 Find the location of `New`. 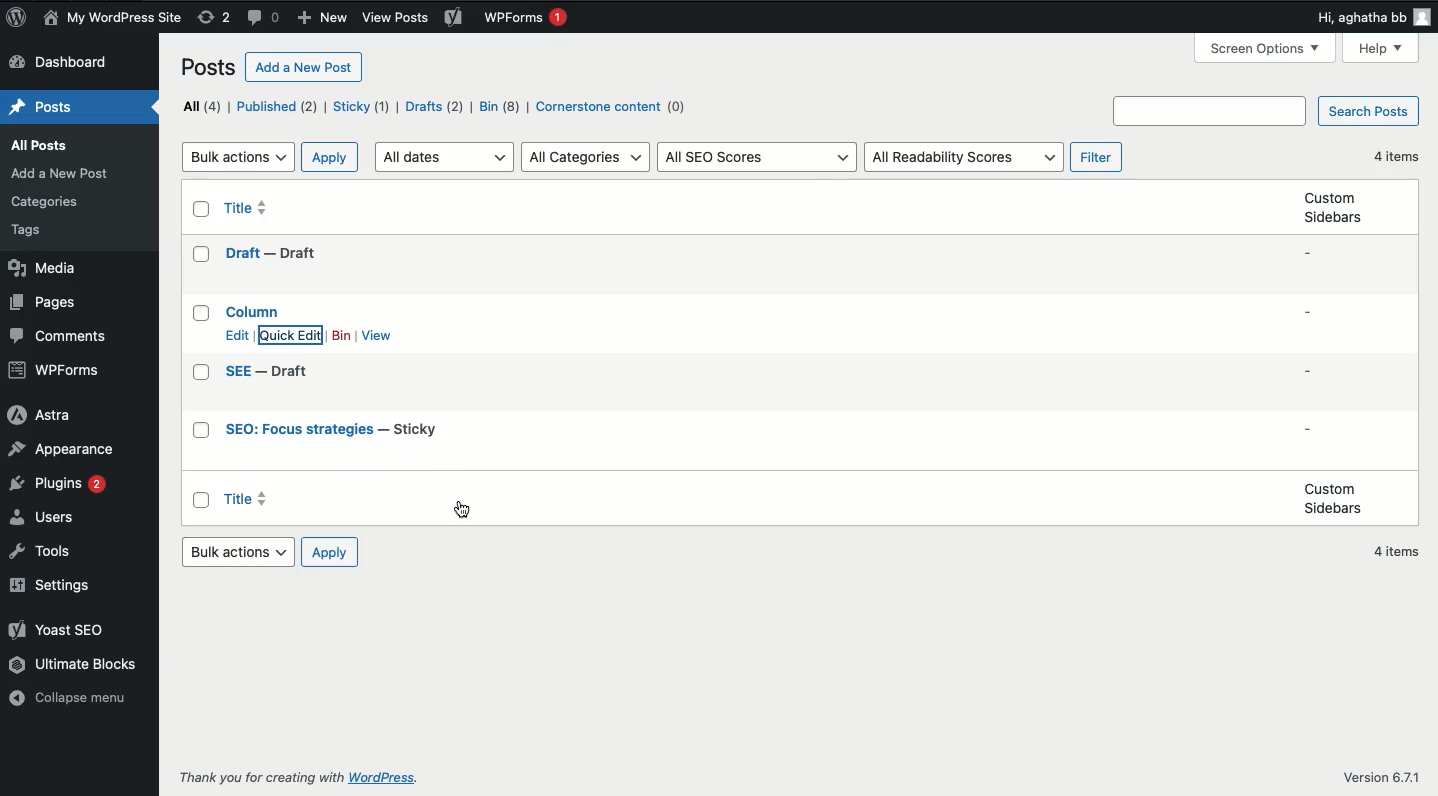

New is located at coordinates (325, 17).